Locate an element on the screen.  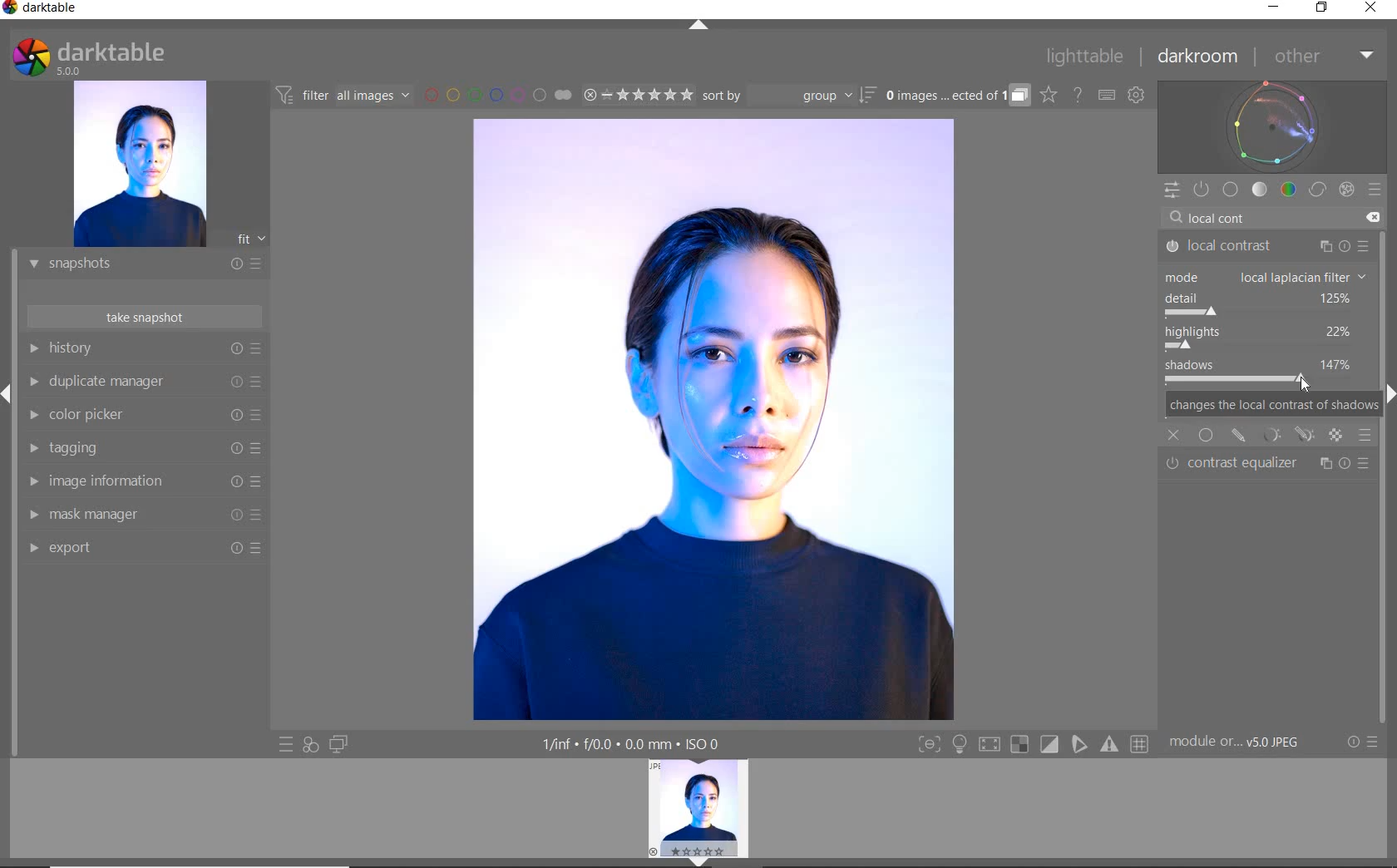
blending options is located at coordinates (1365, 434).